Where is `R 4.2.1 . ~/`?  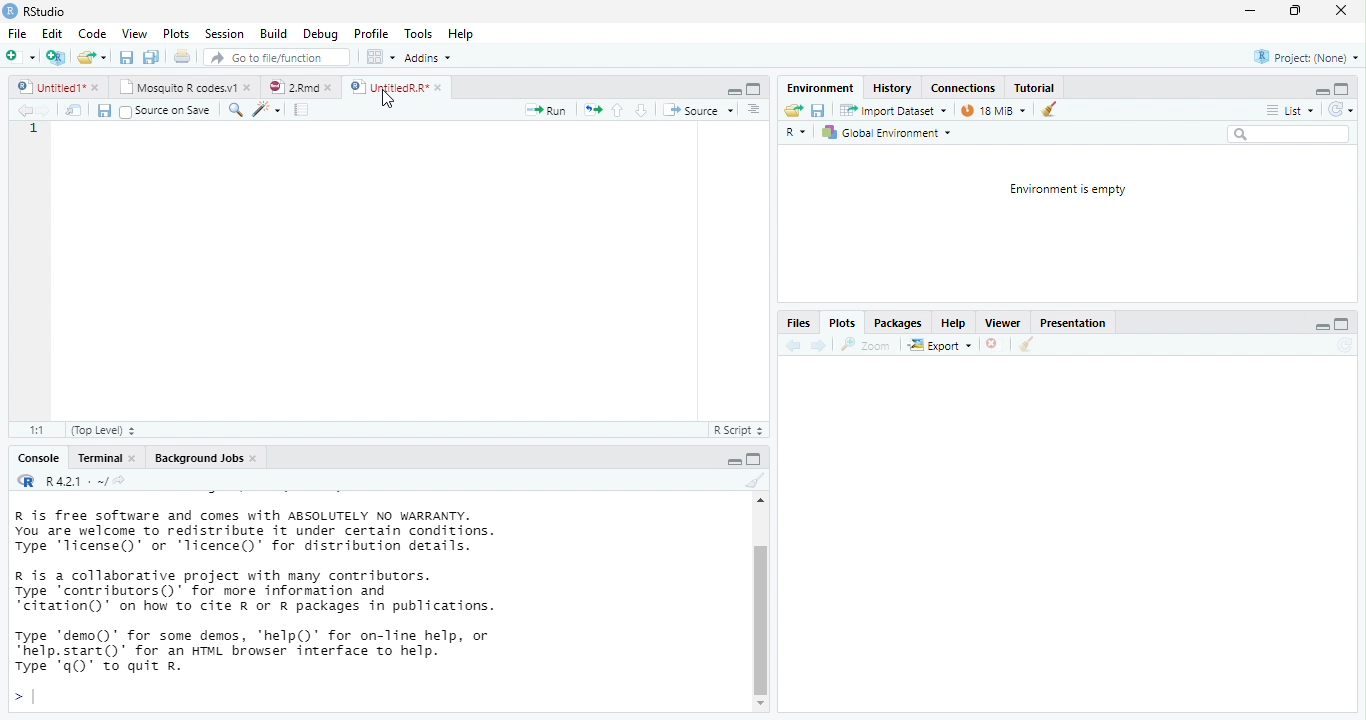
R 4.2.1 . ~/ is located at coordinates (74, 480).